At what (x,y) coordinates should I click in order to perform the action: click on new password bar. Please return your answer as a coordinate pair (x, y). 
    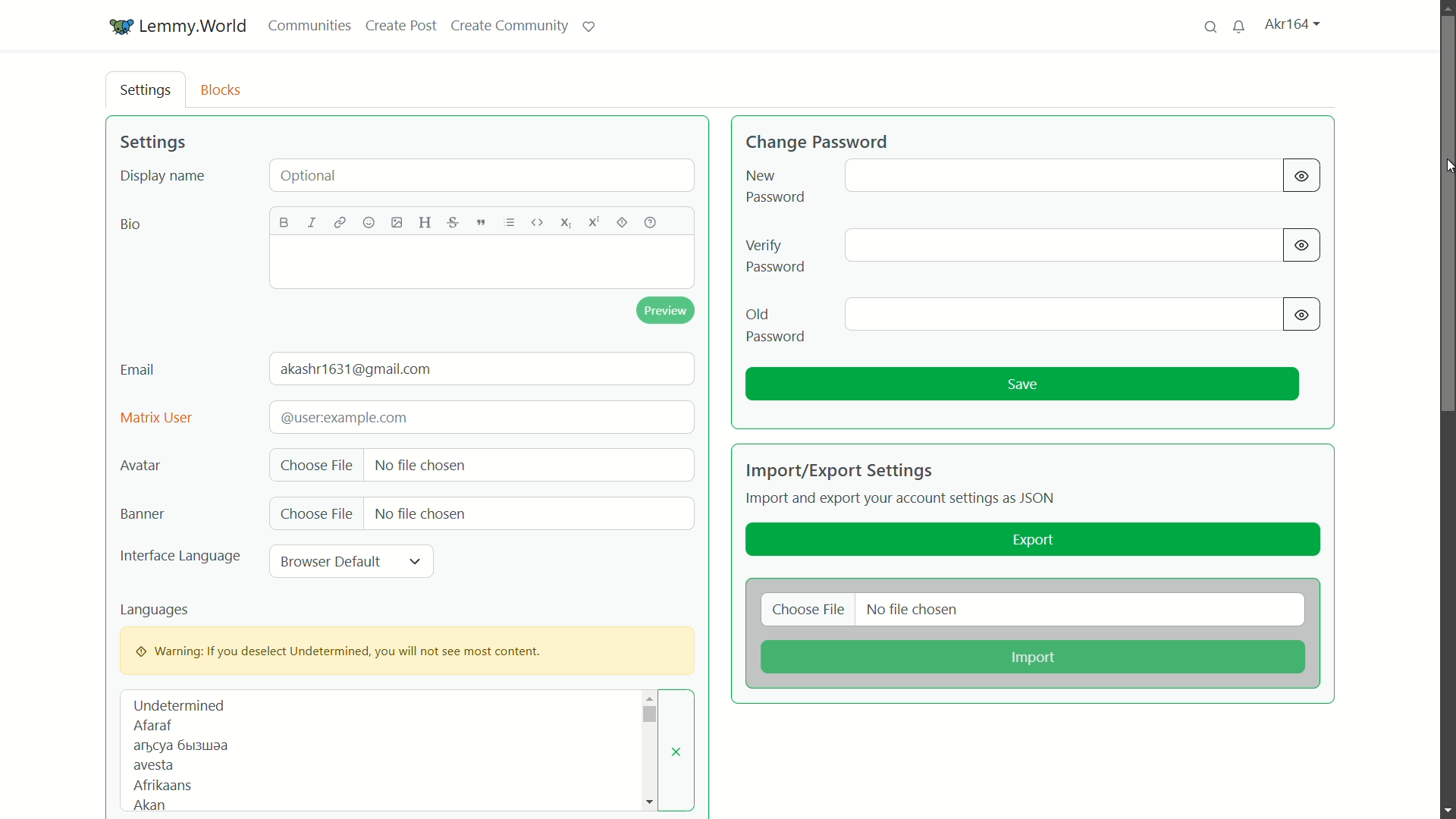
    Looking at the image, I should click on (1062, 175).